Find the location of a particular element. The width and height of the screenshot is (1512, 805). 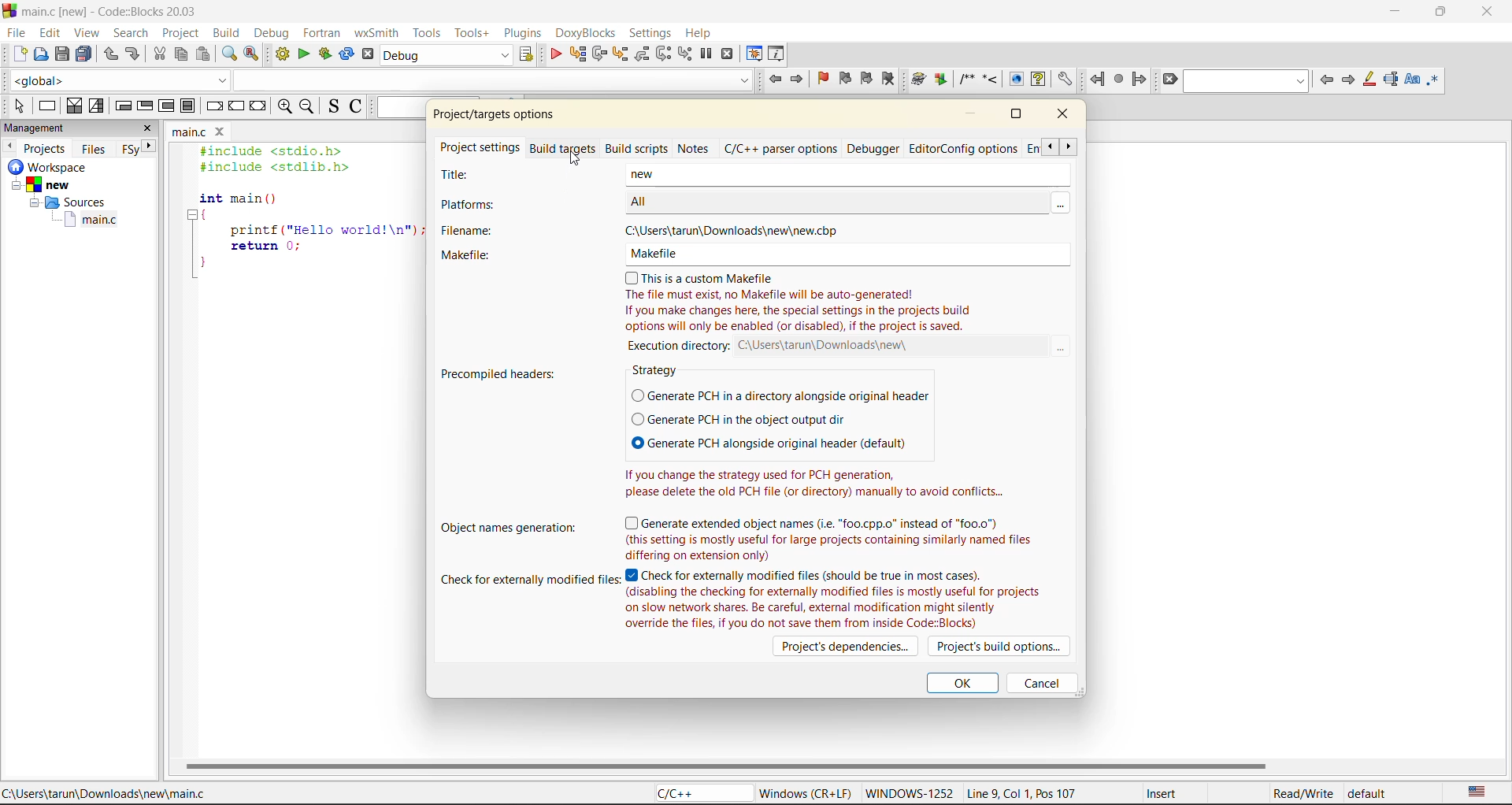

next is located at coordinates (1349, 80).